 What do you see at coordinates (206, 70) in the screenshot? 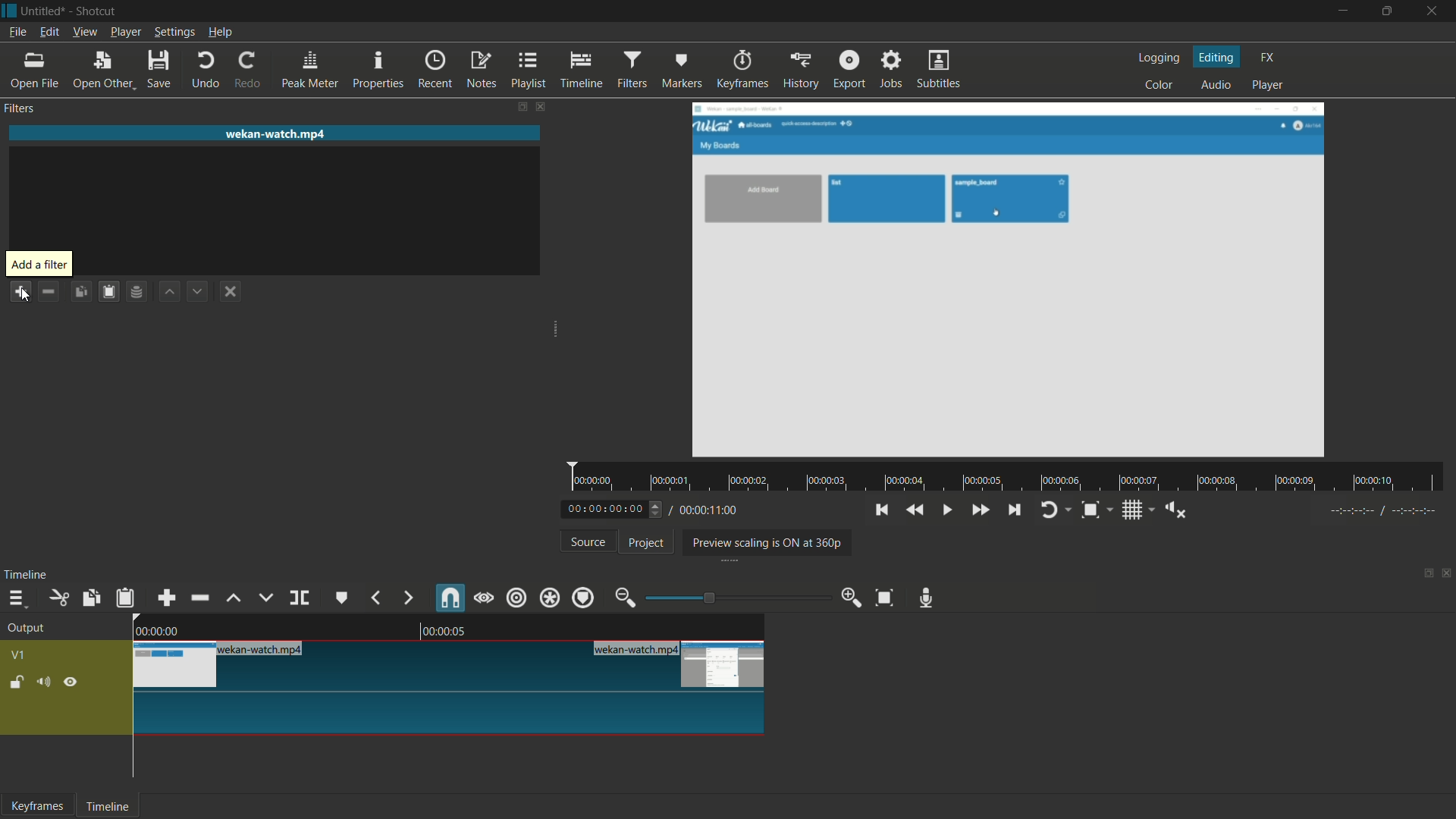
I see `undo` at bounding box center [206, 70].